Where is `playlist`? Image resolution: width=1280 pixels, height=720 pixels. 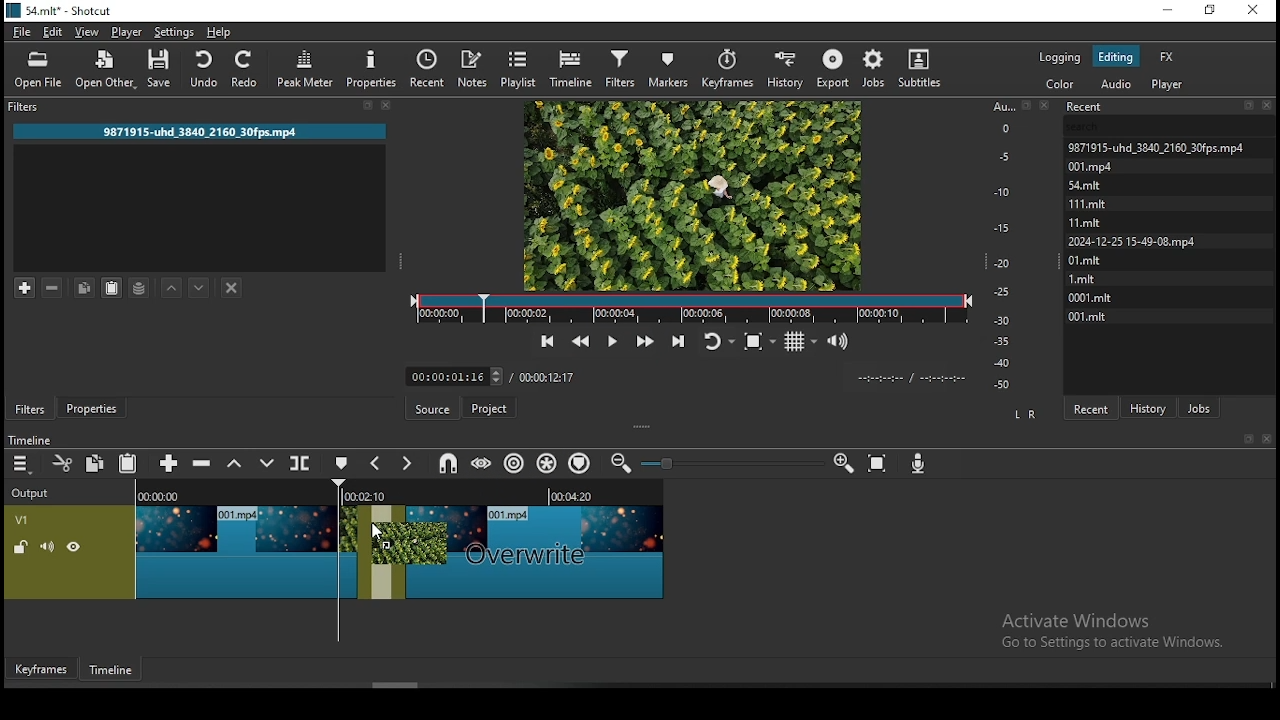
playlist is located at coordinates (516, 67).